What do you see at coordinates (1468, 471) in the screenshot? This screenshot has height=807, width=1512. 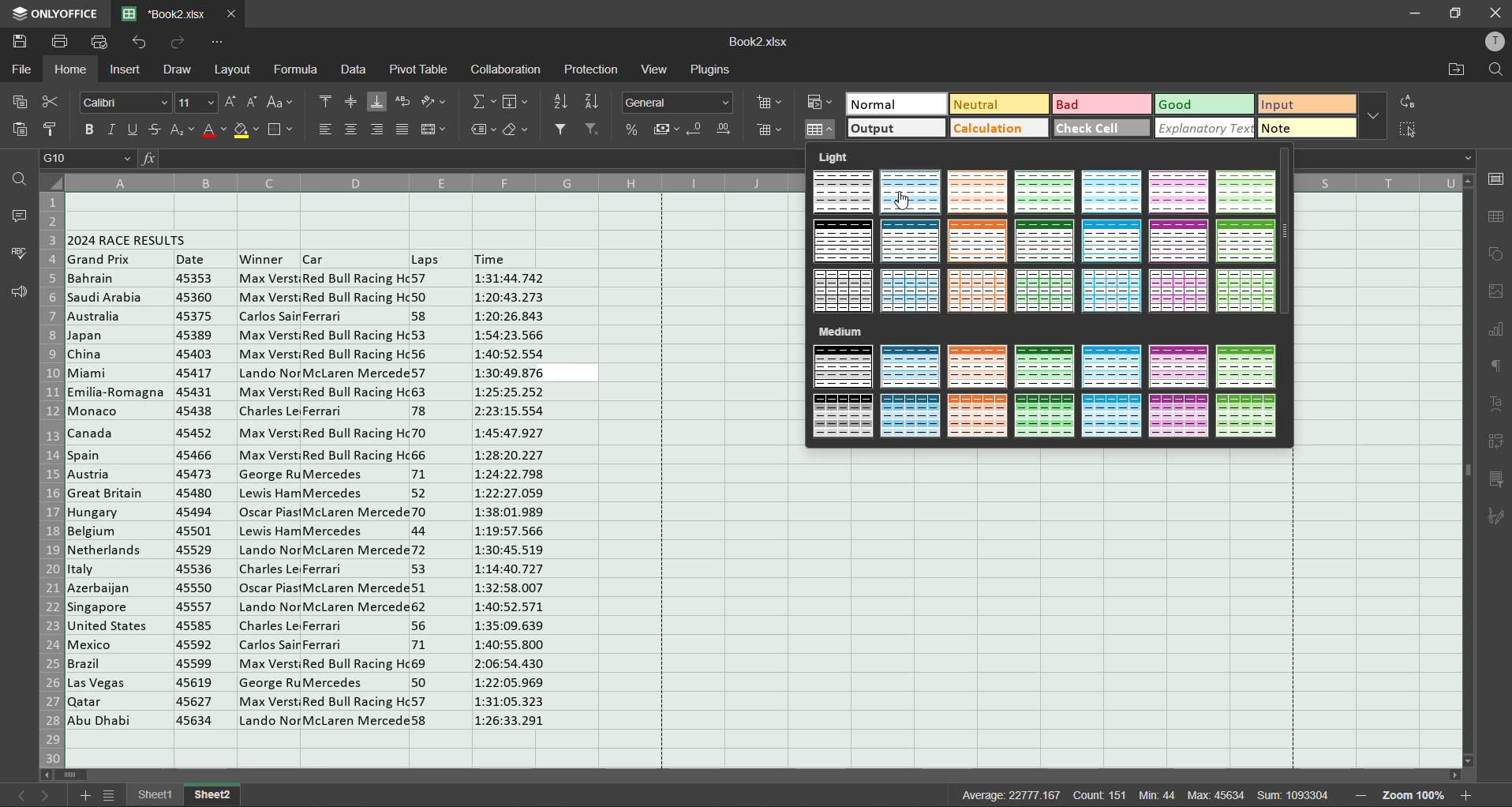 I see `scrollbar` at bounding box center [1468, 471].